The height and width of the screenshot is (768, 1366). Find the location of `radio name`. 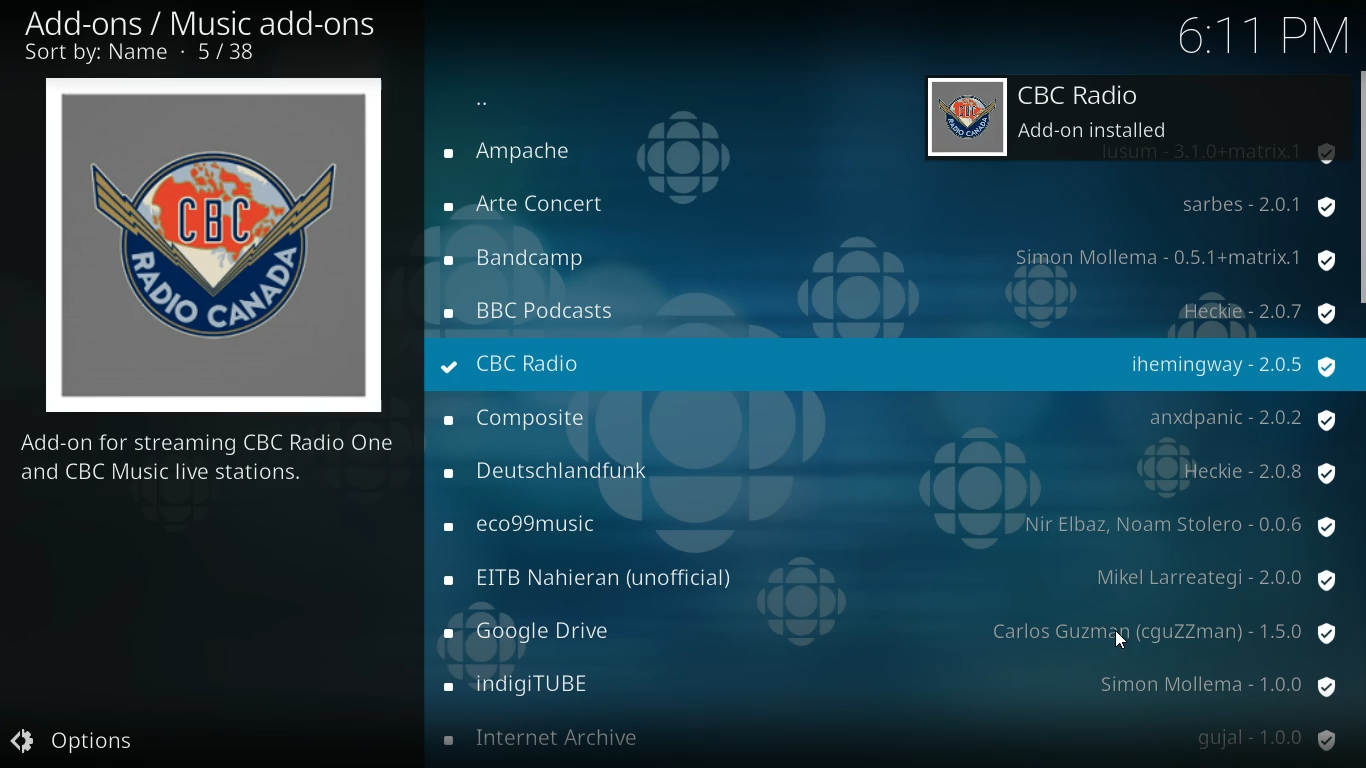

radio name is located at coordinates (532, 310).